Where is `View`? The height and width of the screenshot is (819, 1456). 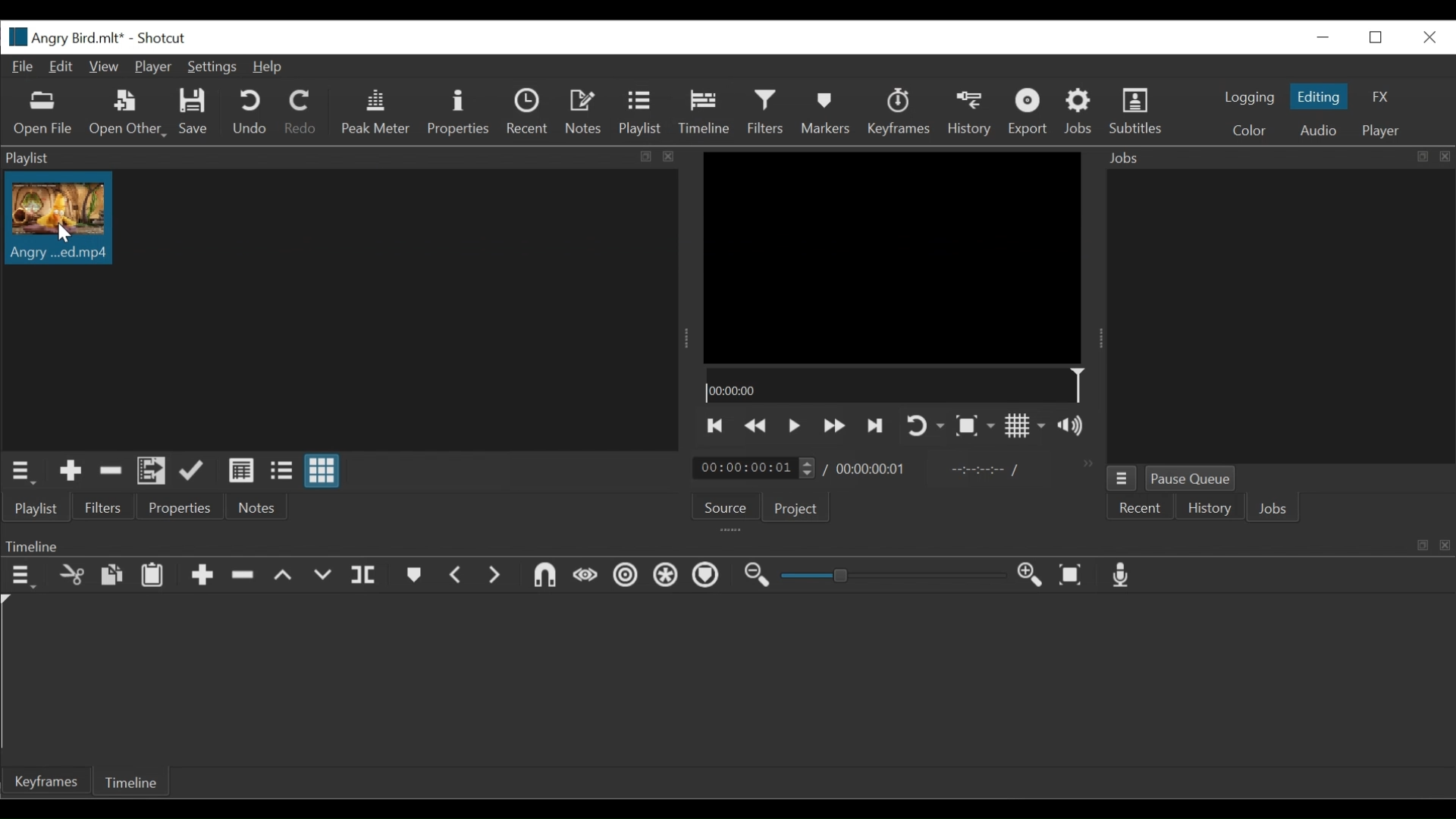
View is located at coordinates (105, 67).